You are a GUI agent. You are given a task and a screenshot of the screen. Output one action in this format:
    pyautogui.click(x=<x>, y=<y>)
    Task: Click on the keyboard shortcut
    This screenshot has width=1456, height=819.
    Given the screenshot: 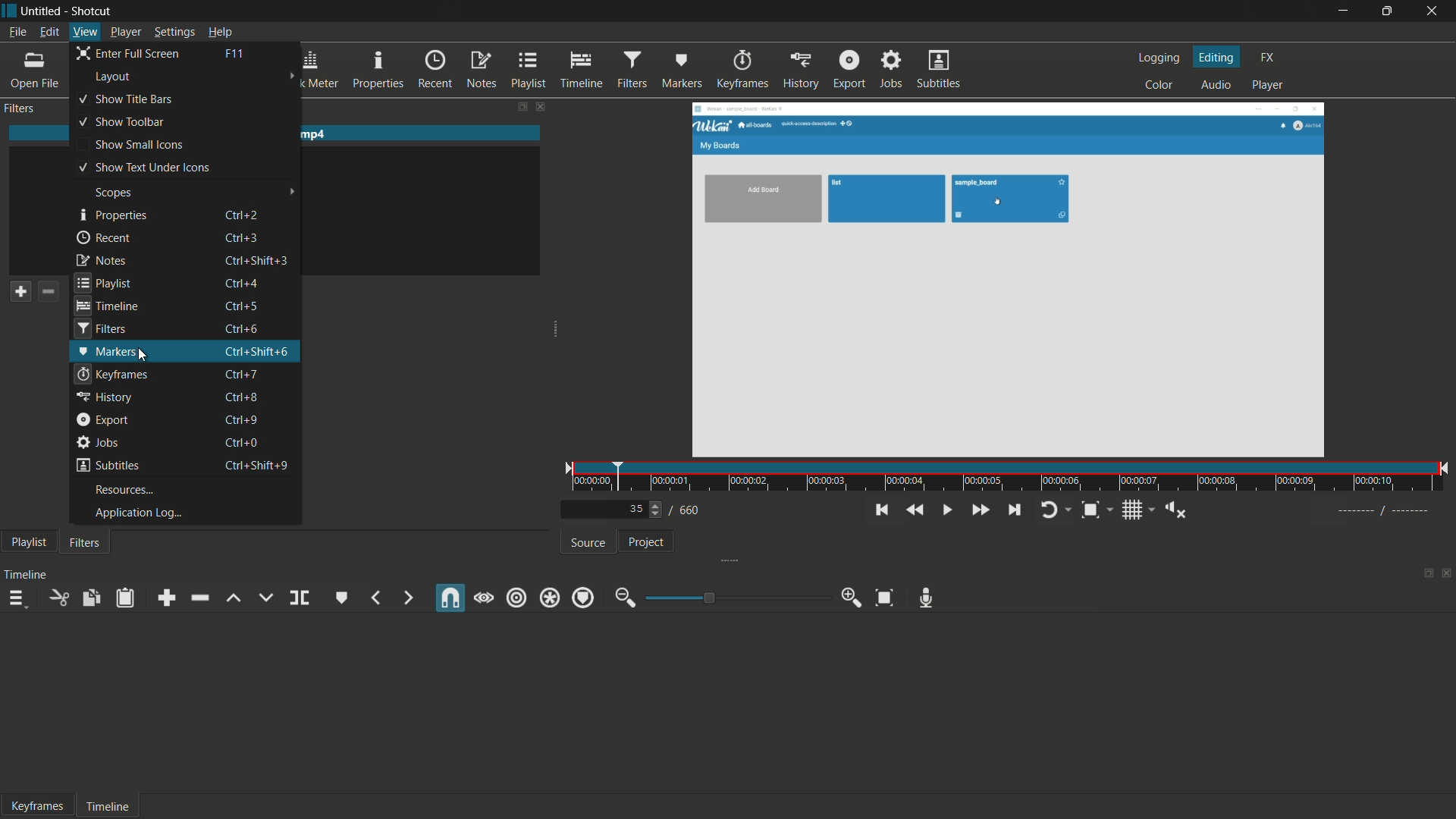 What is the action you would take?
    pyautogui.click(x=240, y=215)
    